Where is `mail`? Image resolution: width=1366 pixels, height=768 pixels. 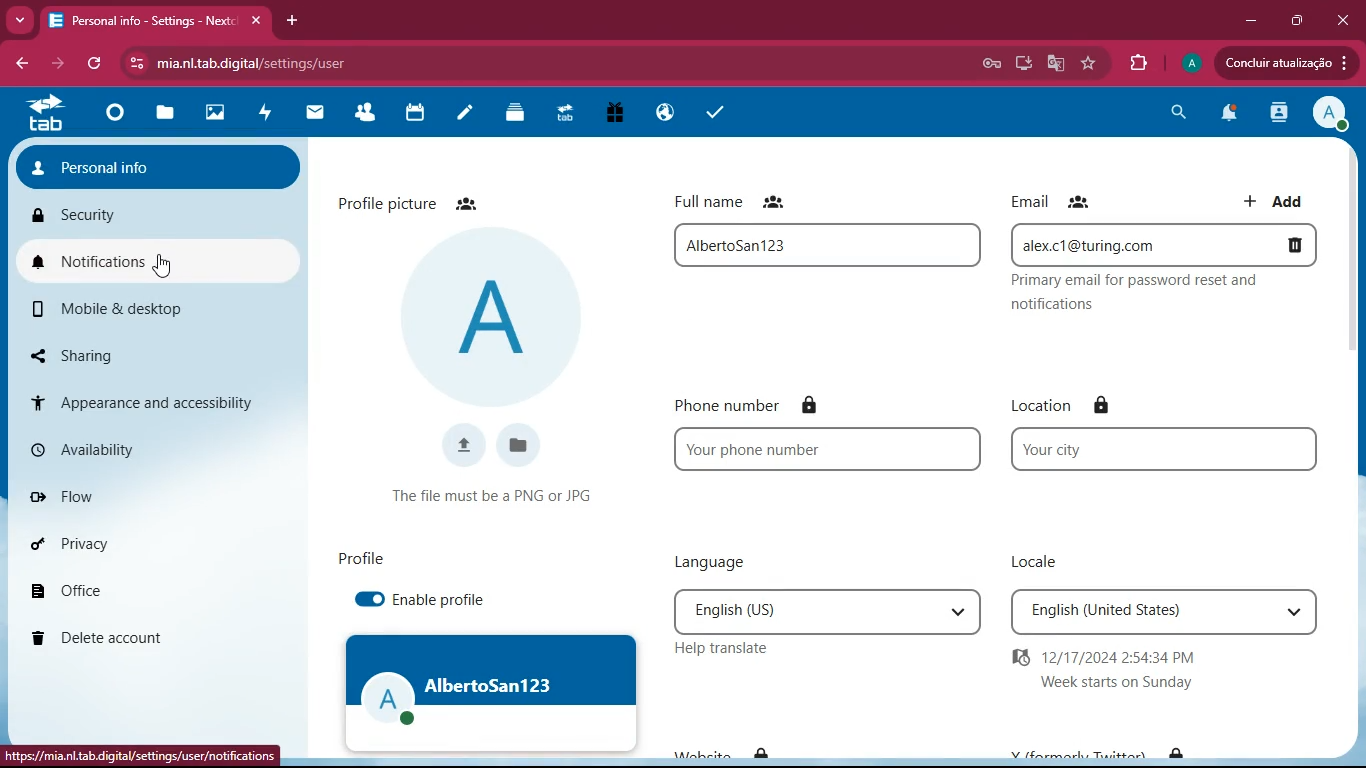
mail is located at coordinates (310, 114).